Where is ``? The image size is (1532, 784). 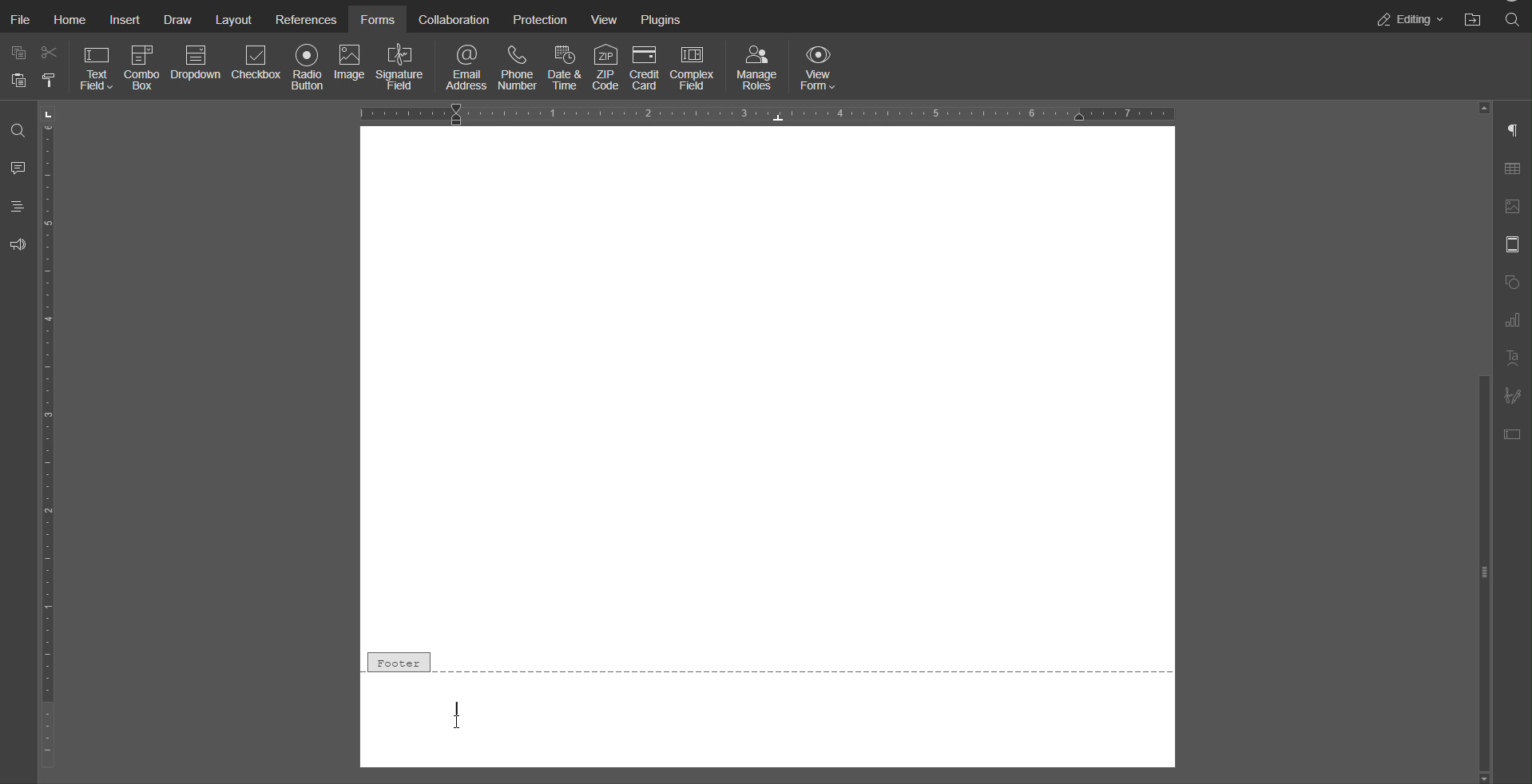
 is located at coordinates (769, 386).